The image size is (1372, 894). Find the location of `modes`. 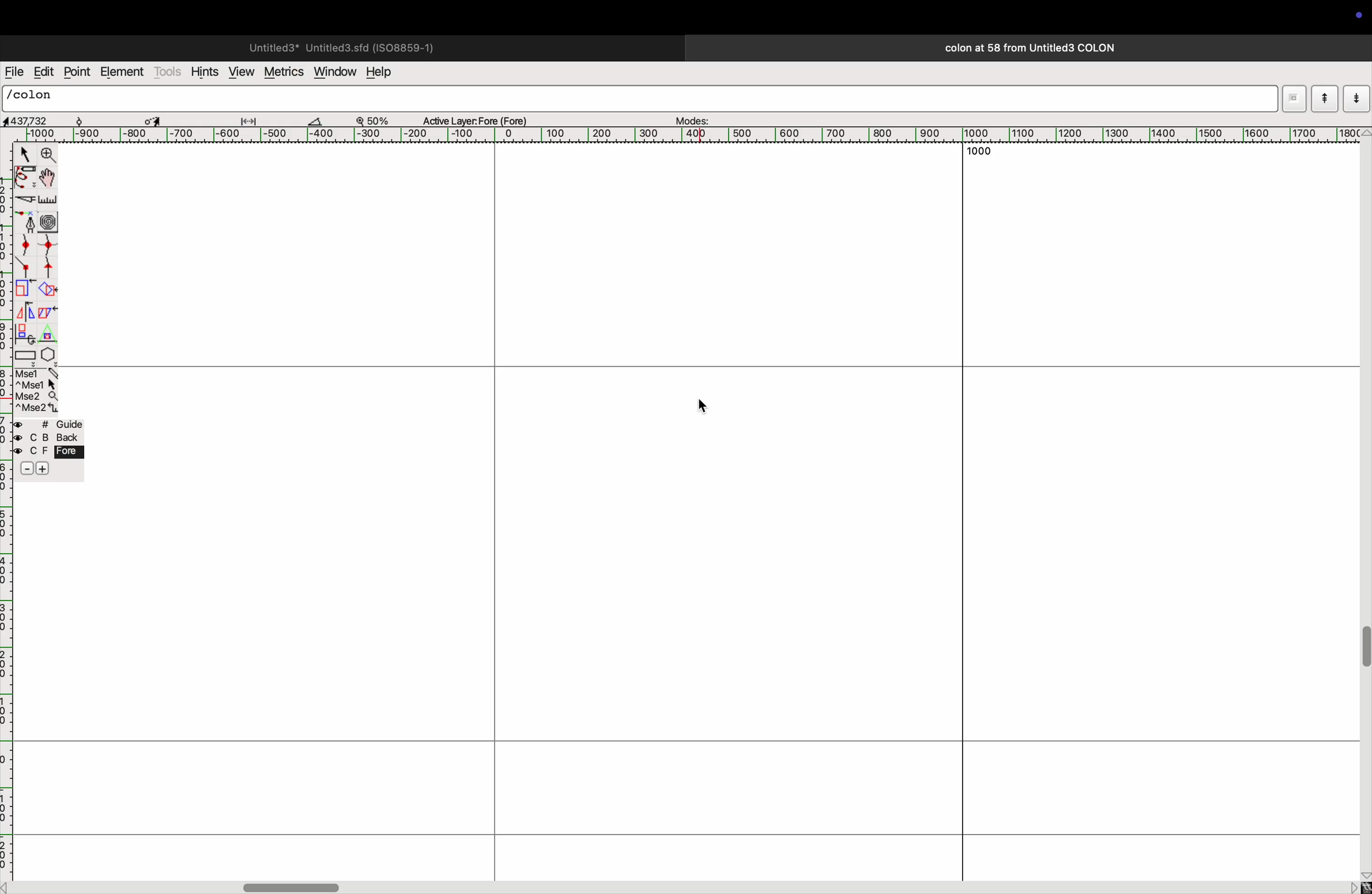

modes is located at coordinates (694, 118).